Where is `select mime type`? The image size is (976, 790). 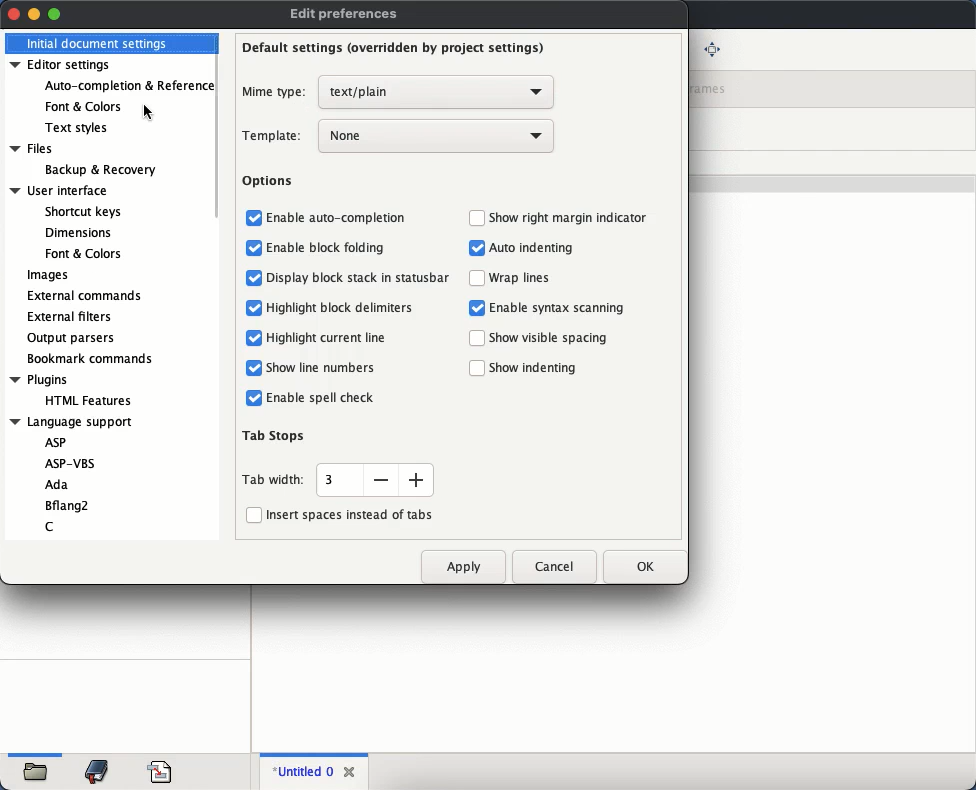
select mime type is located at coordinates (435, 91).